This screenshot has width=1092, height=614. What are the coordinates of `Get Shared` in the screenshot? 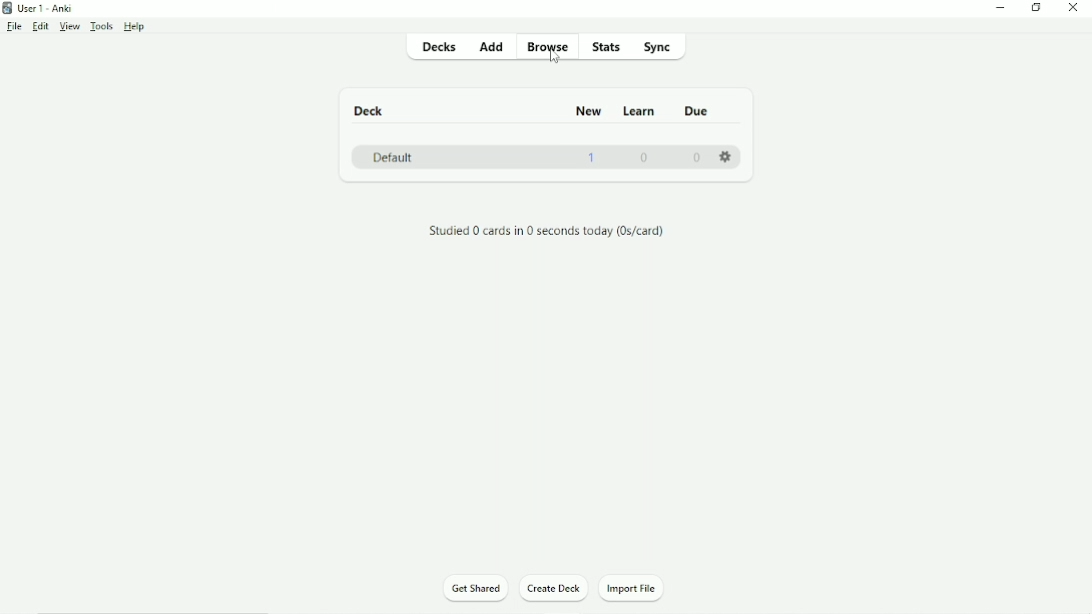 It's located at (475, 587).